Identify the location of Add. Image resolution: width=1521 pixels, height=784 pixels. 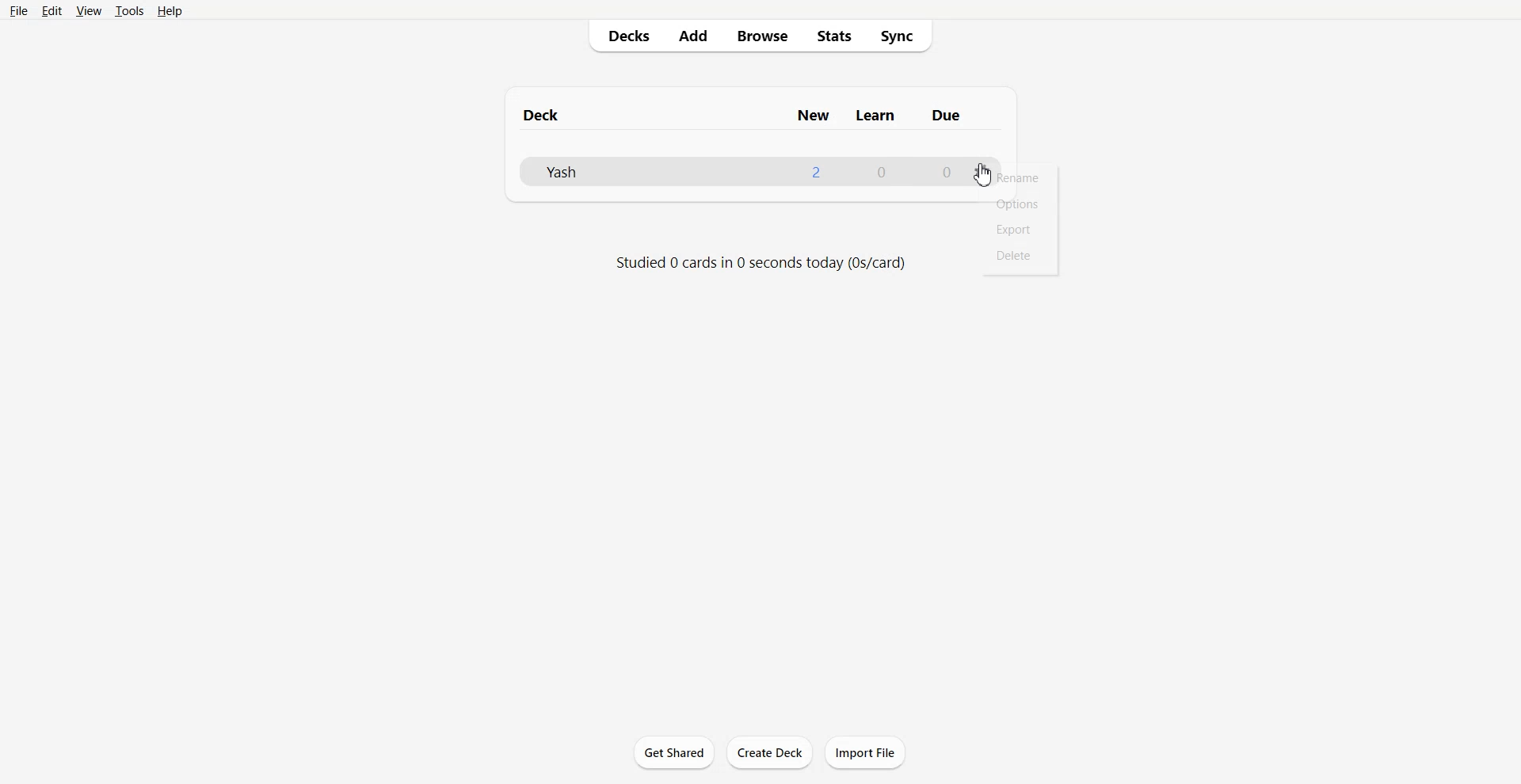
(693, 36).